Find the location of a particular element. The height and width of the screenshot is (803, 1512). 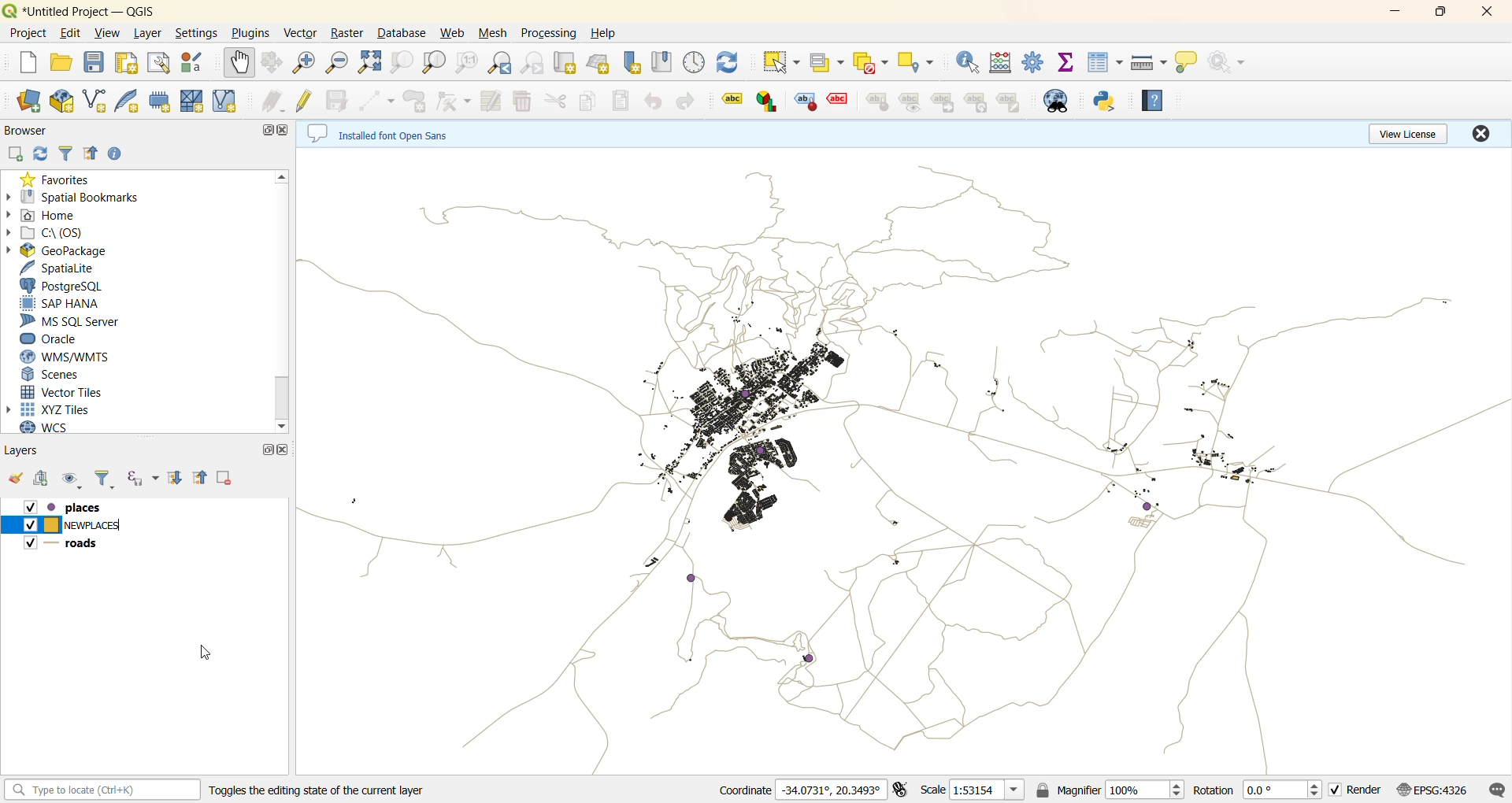

vertex tool is located at coordinates (457, 101).